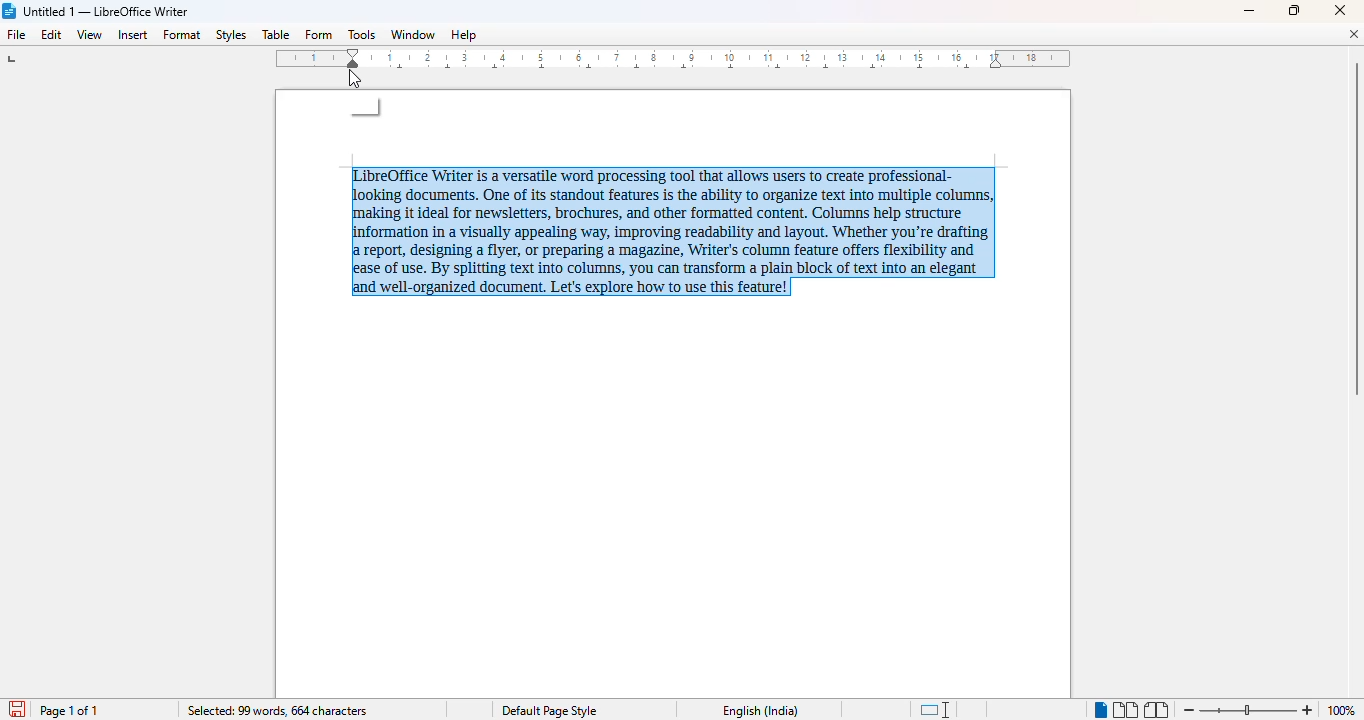 This screenshot has height=720, width=1364. I want to click on minimize, so click(1249, 12).